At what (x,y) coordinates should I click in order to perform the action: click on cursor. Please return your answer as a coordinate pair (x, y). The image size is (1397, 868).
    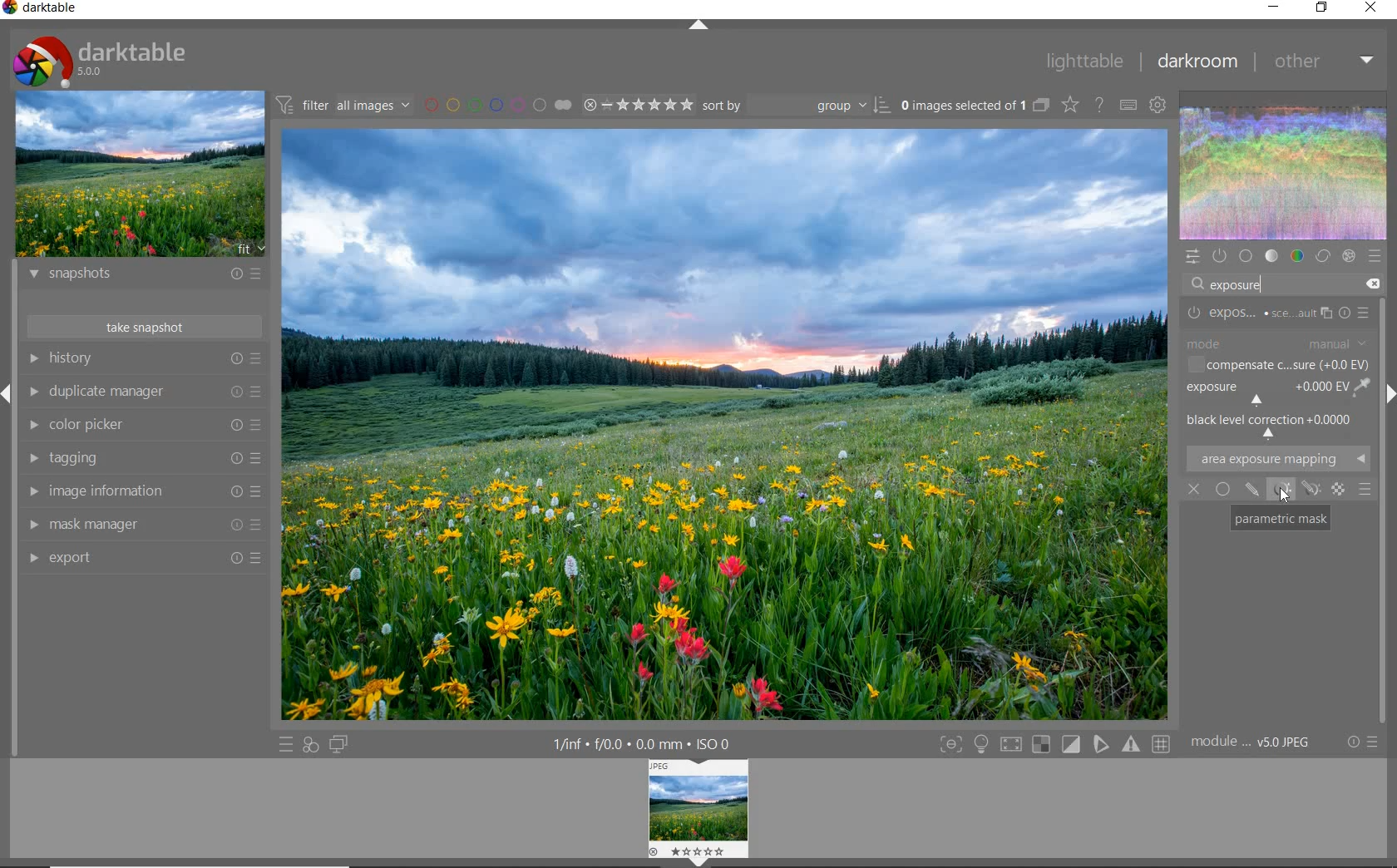
    Looking at the image, I should click on (1283, 496).